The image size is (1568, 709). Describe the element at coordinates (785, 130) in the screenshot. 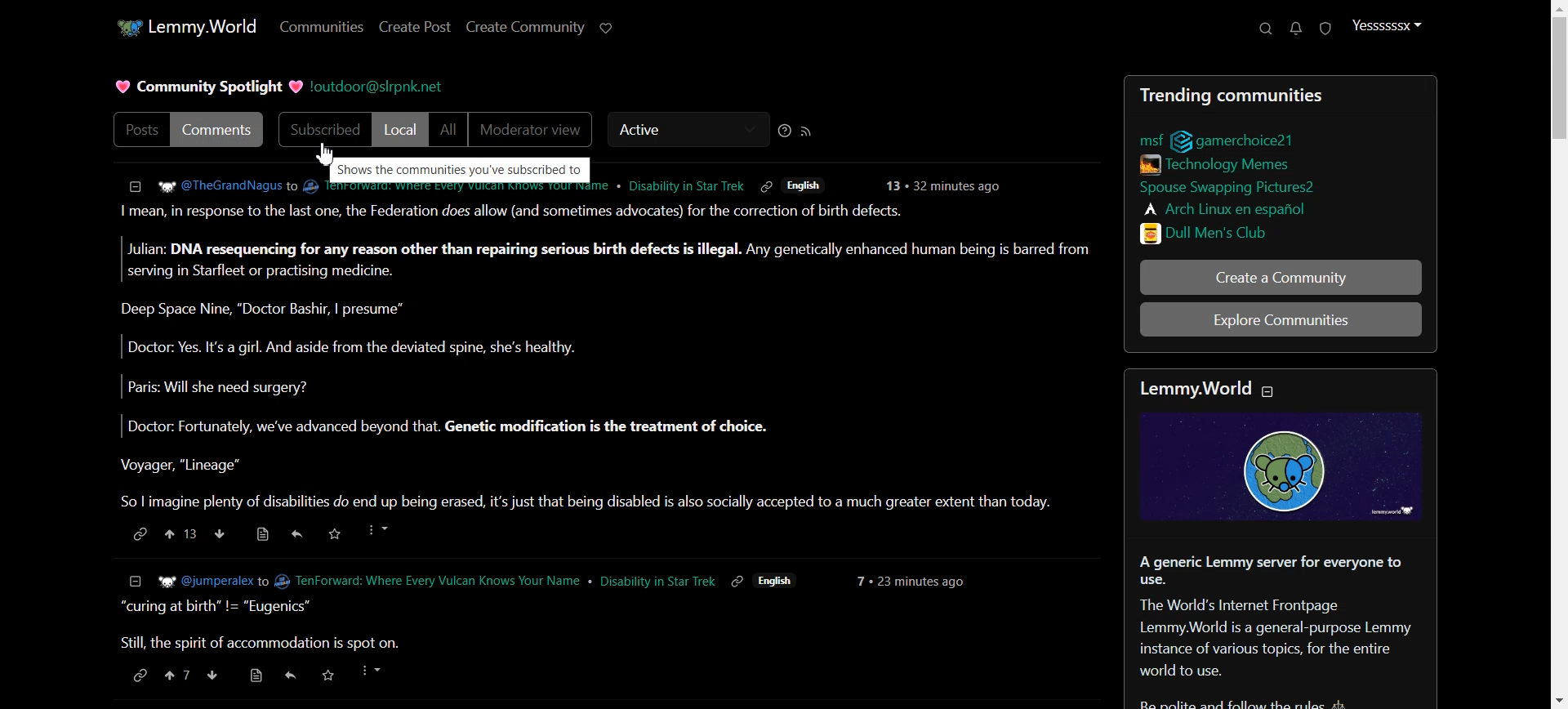

I see `Sorting help` at that location.